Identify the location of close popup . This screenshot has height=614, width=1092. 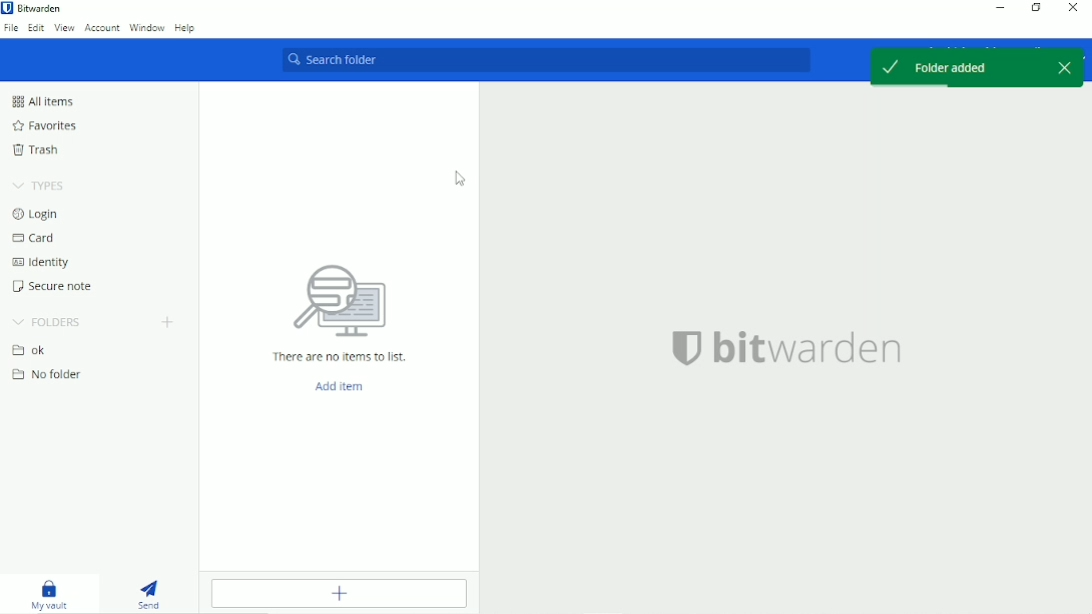
(1068, 65).